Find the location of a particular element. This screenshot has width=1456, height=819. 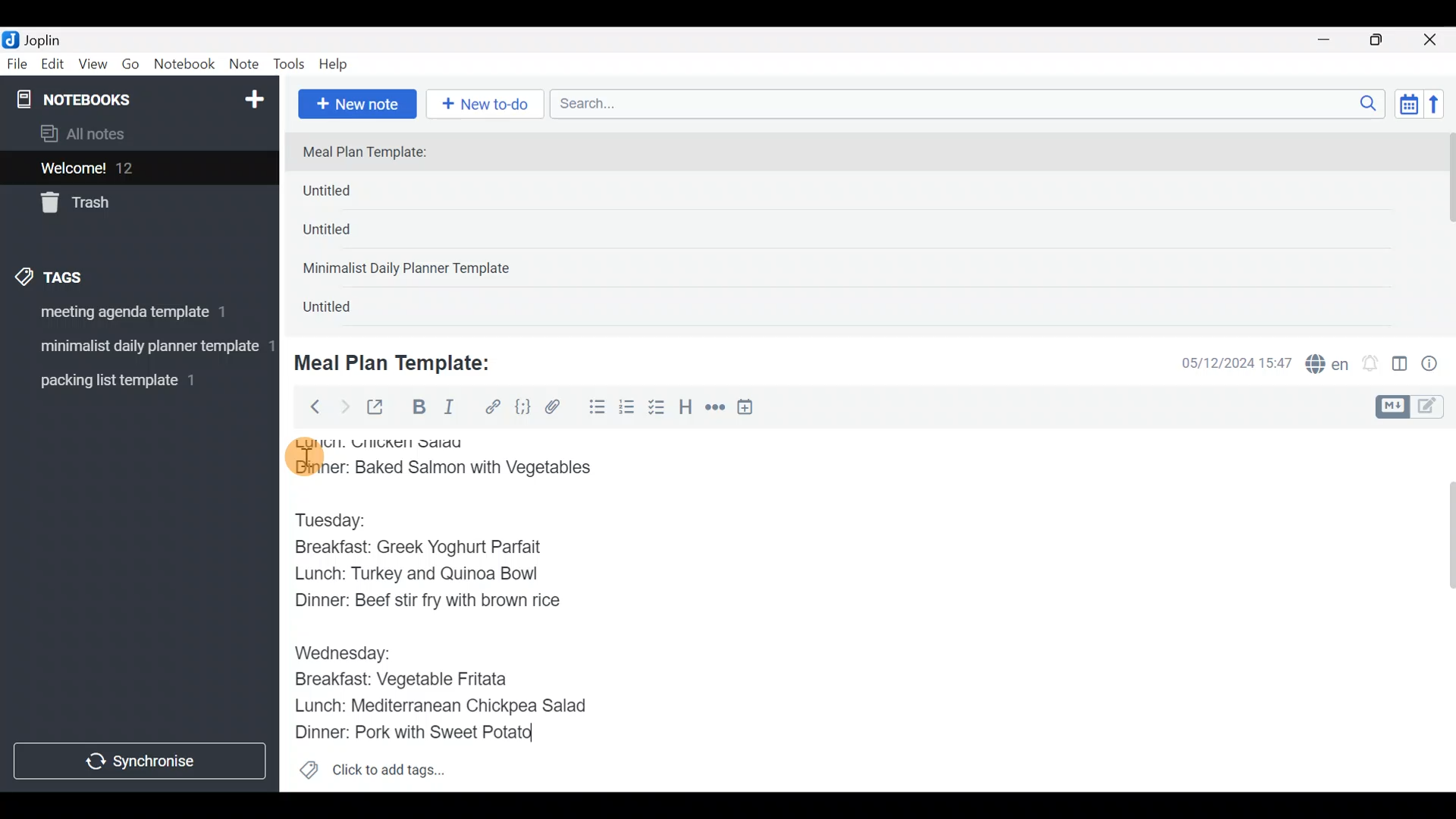

Lunch: Chicken Salad is located at coordinates (384, 441).